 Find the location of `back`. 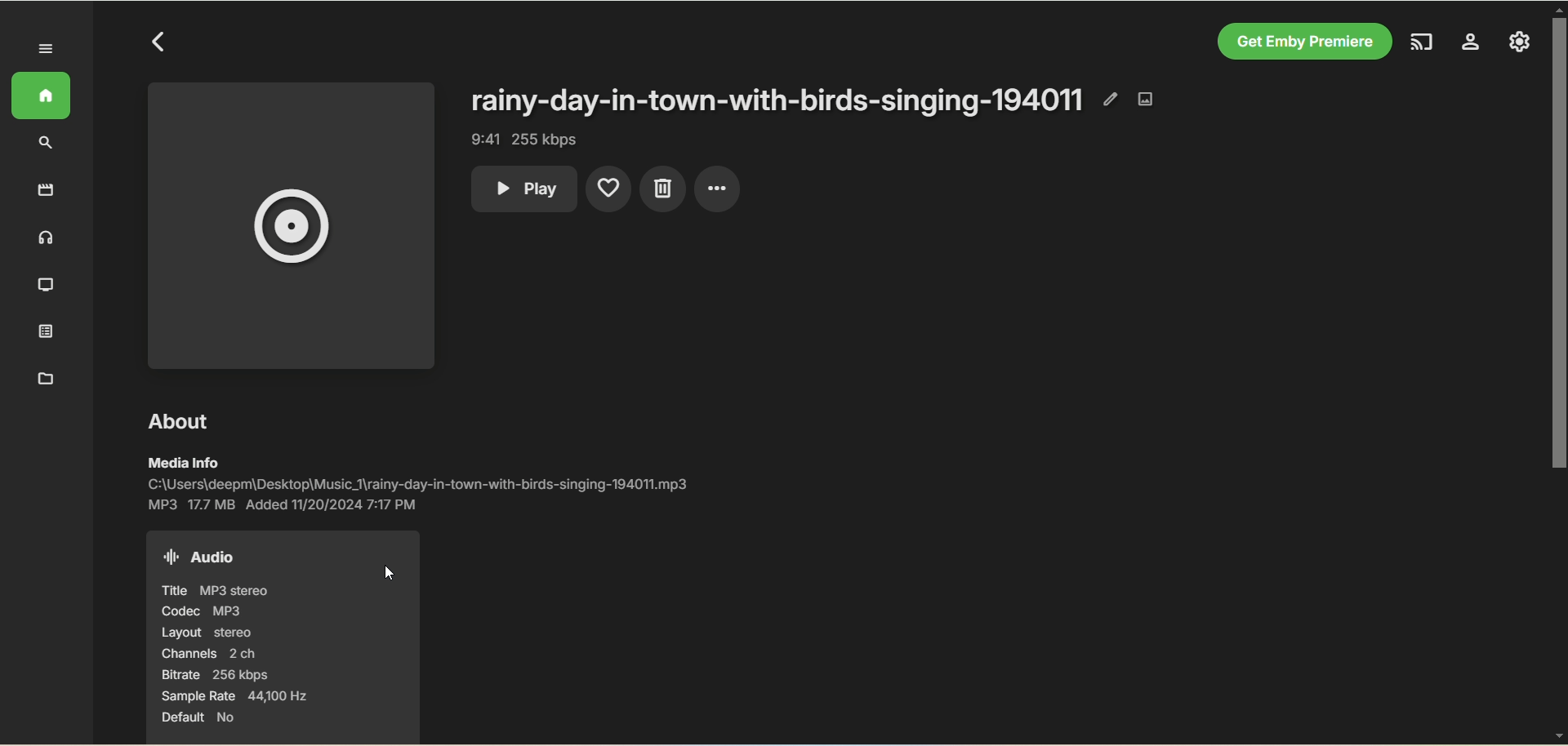

back is located at coordinates (158, 43).